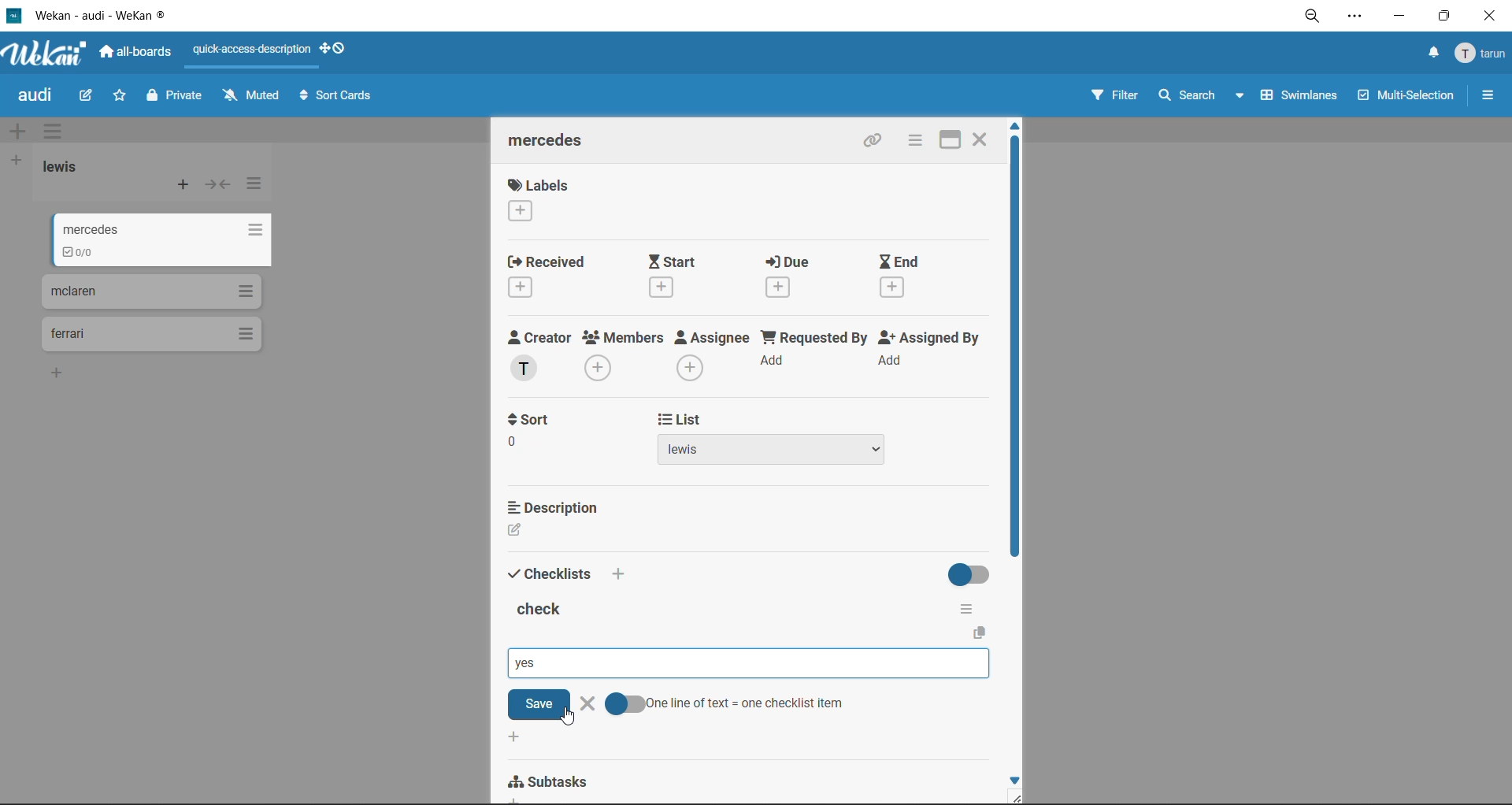 This screenshot has height=805, width=1512. What do you see at coordinates (256, 183) in the screenshot?
I see `list actions` at bounding box center [256, 183].